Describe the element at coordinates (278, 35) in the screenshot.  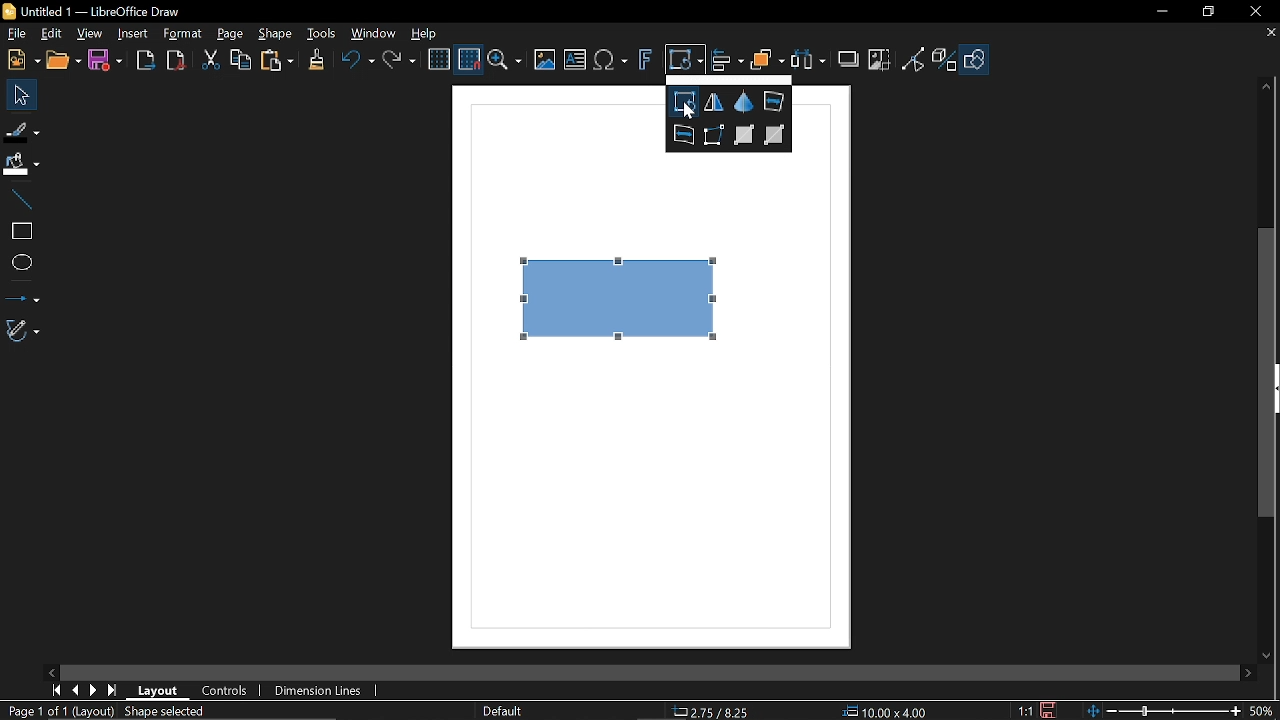
I see `Shape` at that location.